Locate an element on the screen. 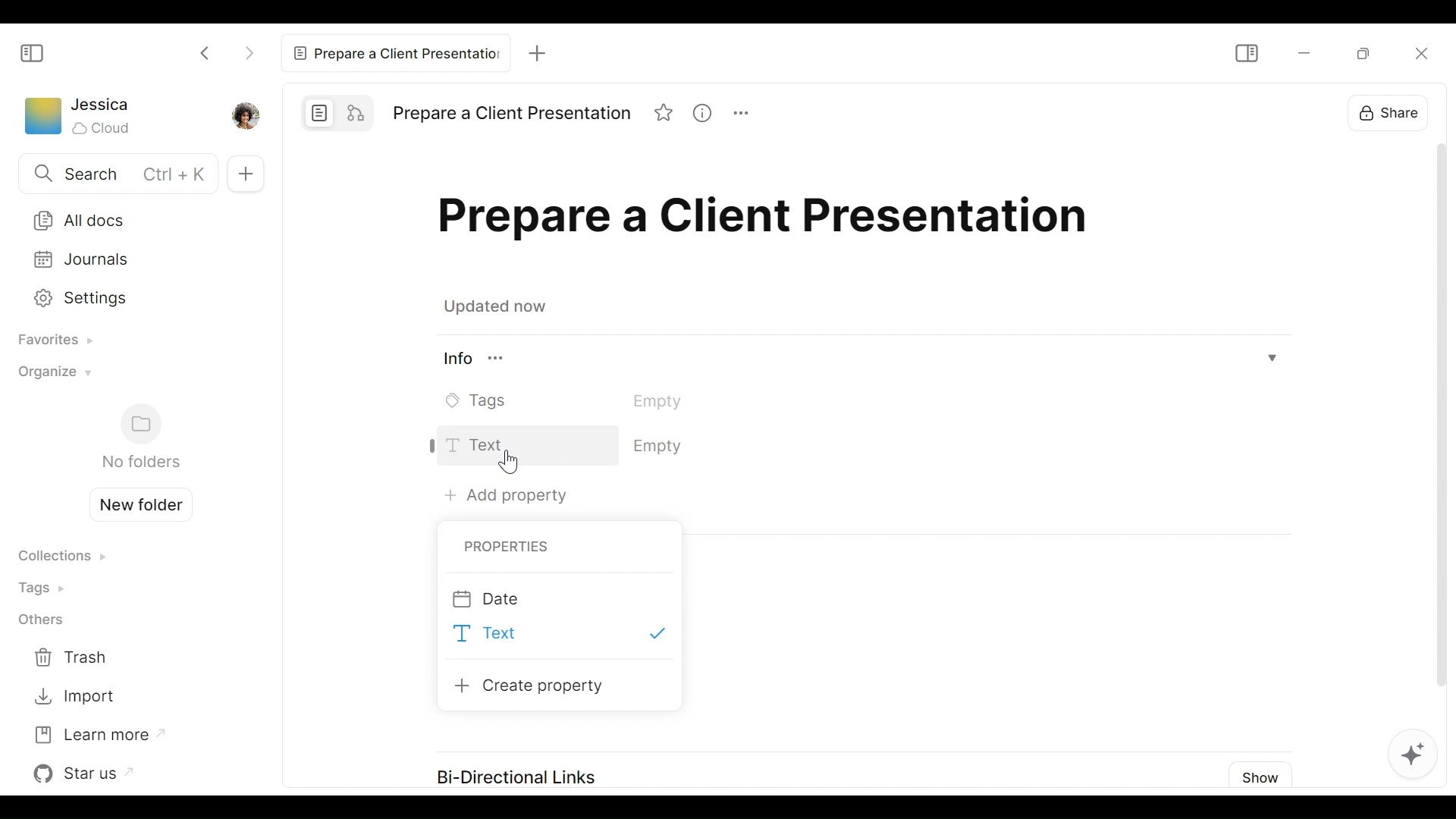  Settings is located at coordinates (127, 296).